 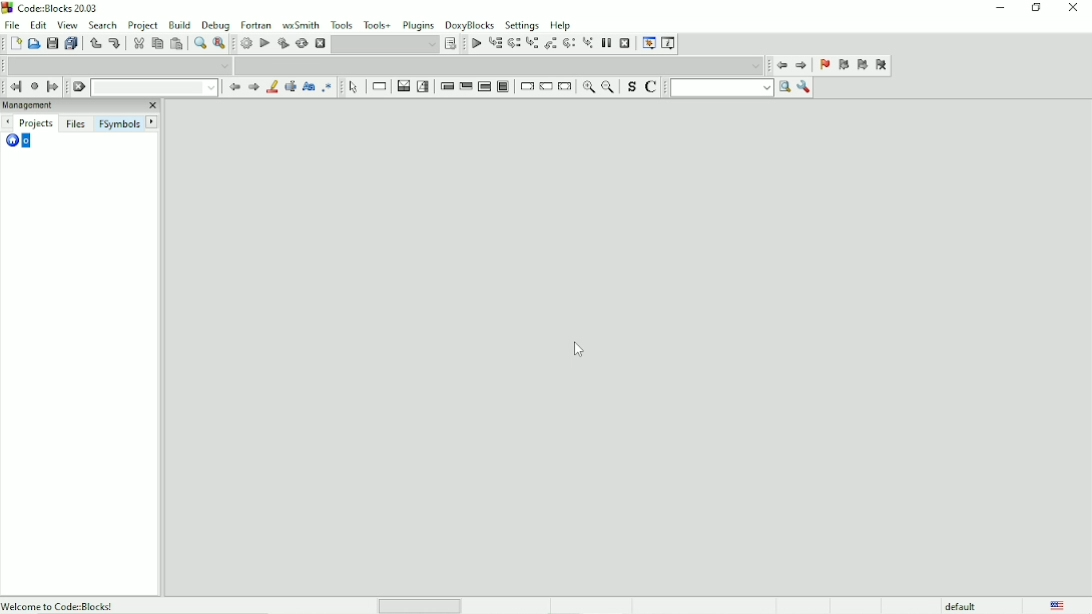 What do you see at coordinates (385, 44) in the screenshot?
I see `Drop down` at bounding box center [385, 44].